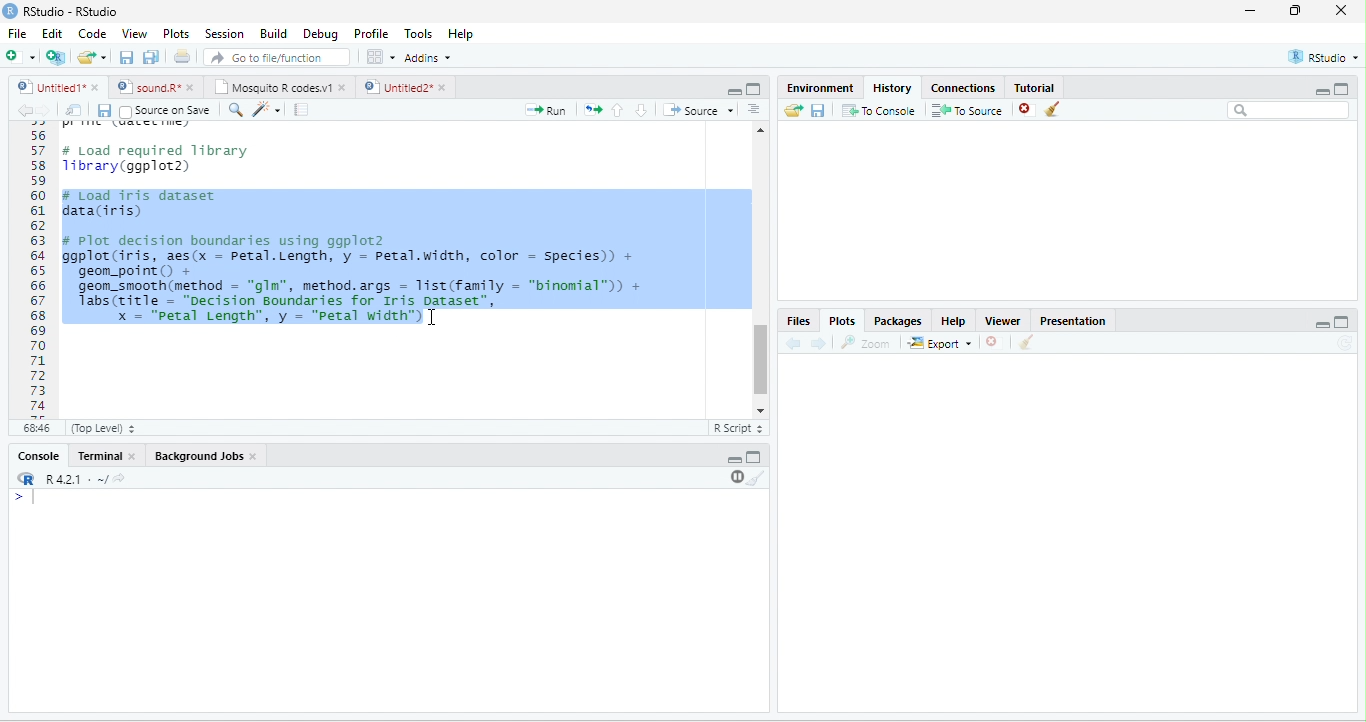 Image resolution: width=1366 pixels, height=722 pixels. Describe the element at coordinates (761, 360) in the screenshot. I see `scroll bar` at that location.